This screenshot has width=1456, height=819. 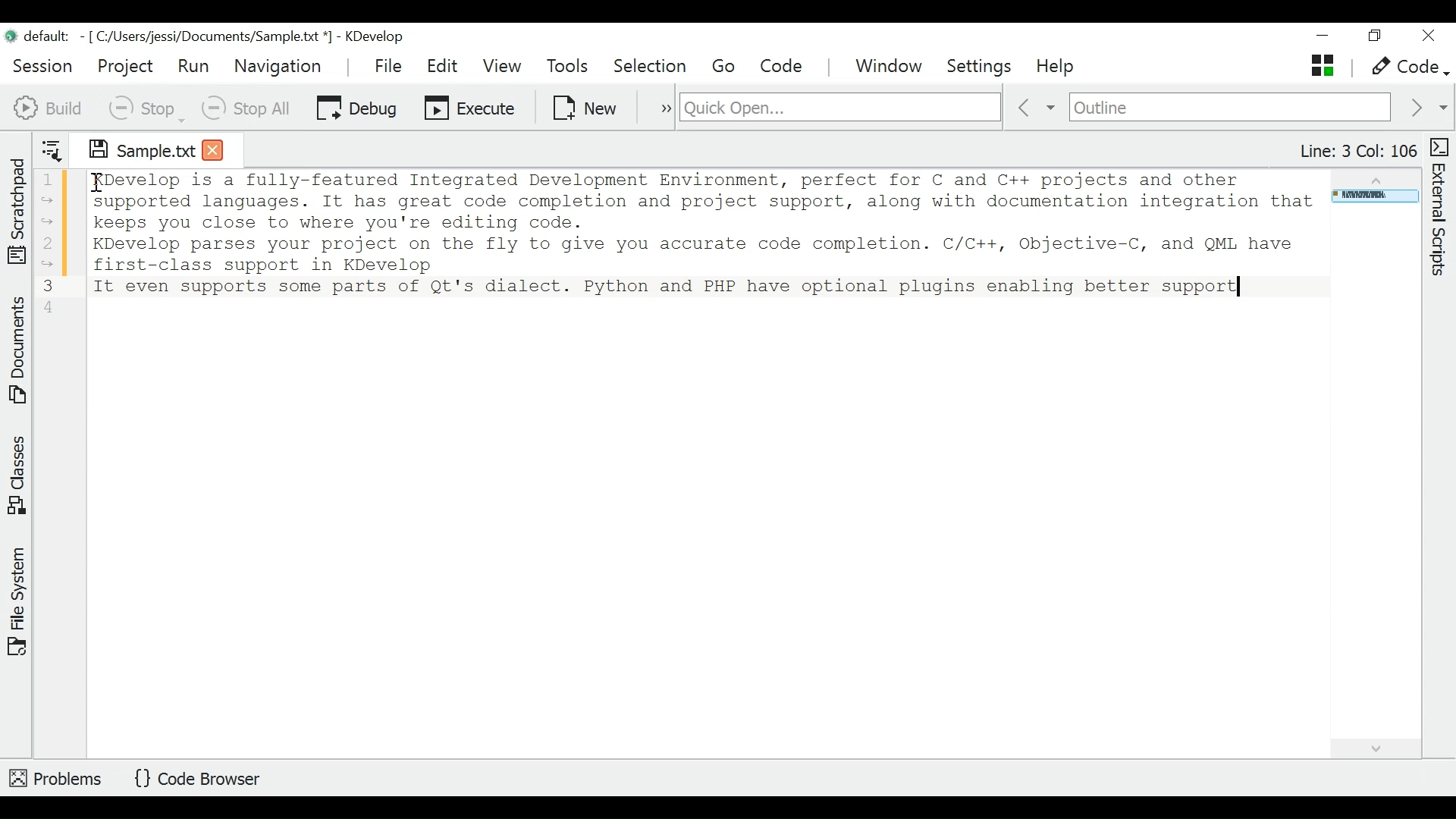 I want to click on Scroll up, so click(x=1373, y=177).